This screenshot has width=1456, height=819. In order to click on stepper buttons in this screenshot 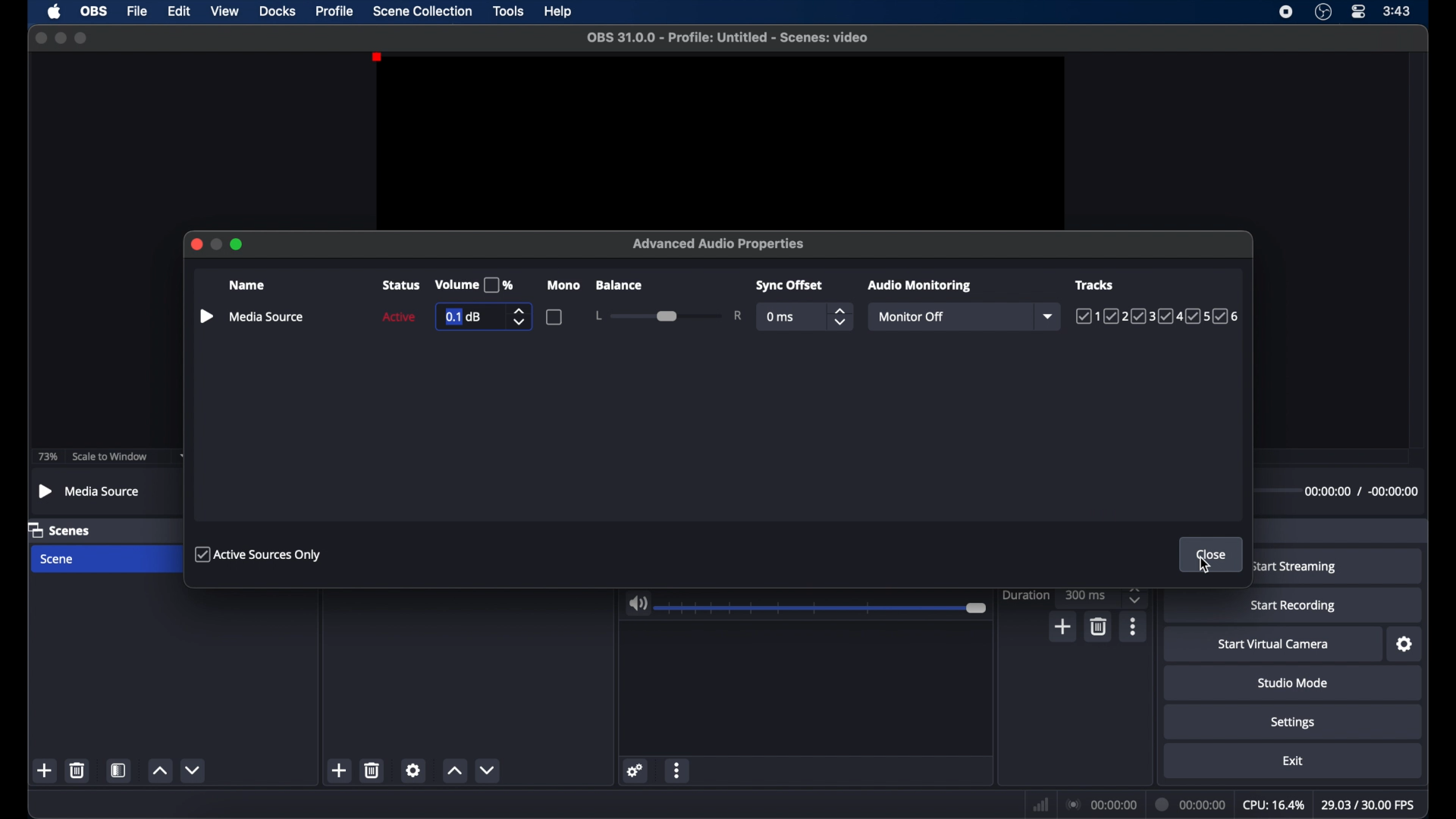, I will do `click(839, 316)`.